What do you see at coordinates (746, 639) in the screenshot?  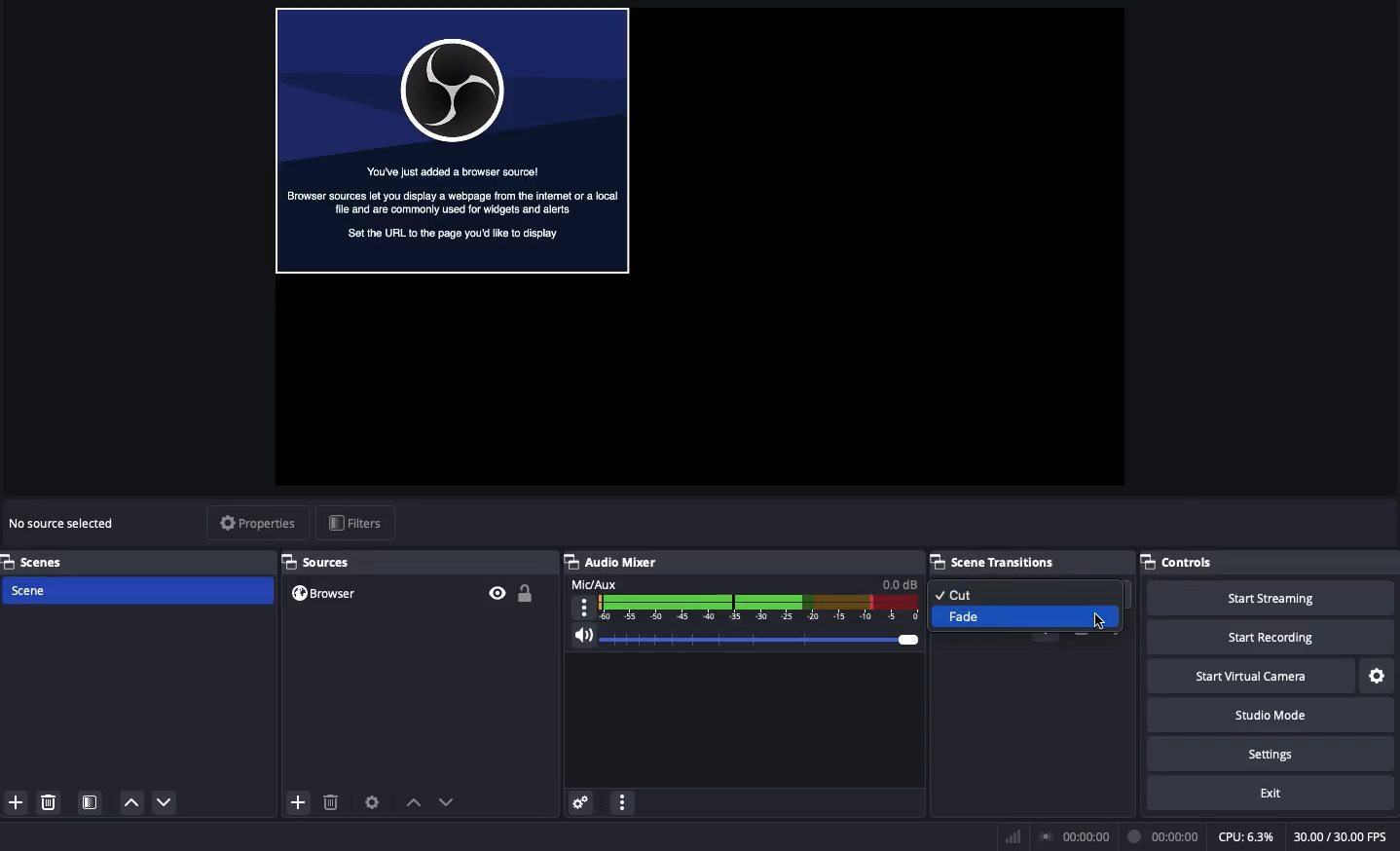 I see `Volume` at bounding box center [746, 639].